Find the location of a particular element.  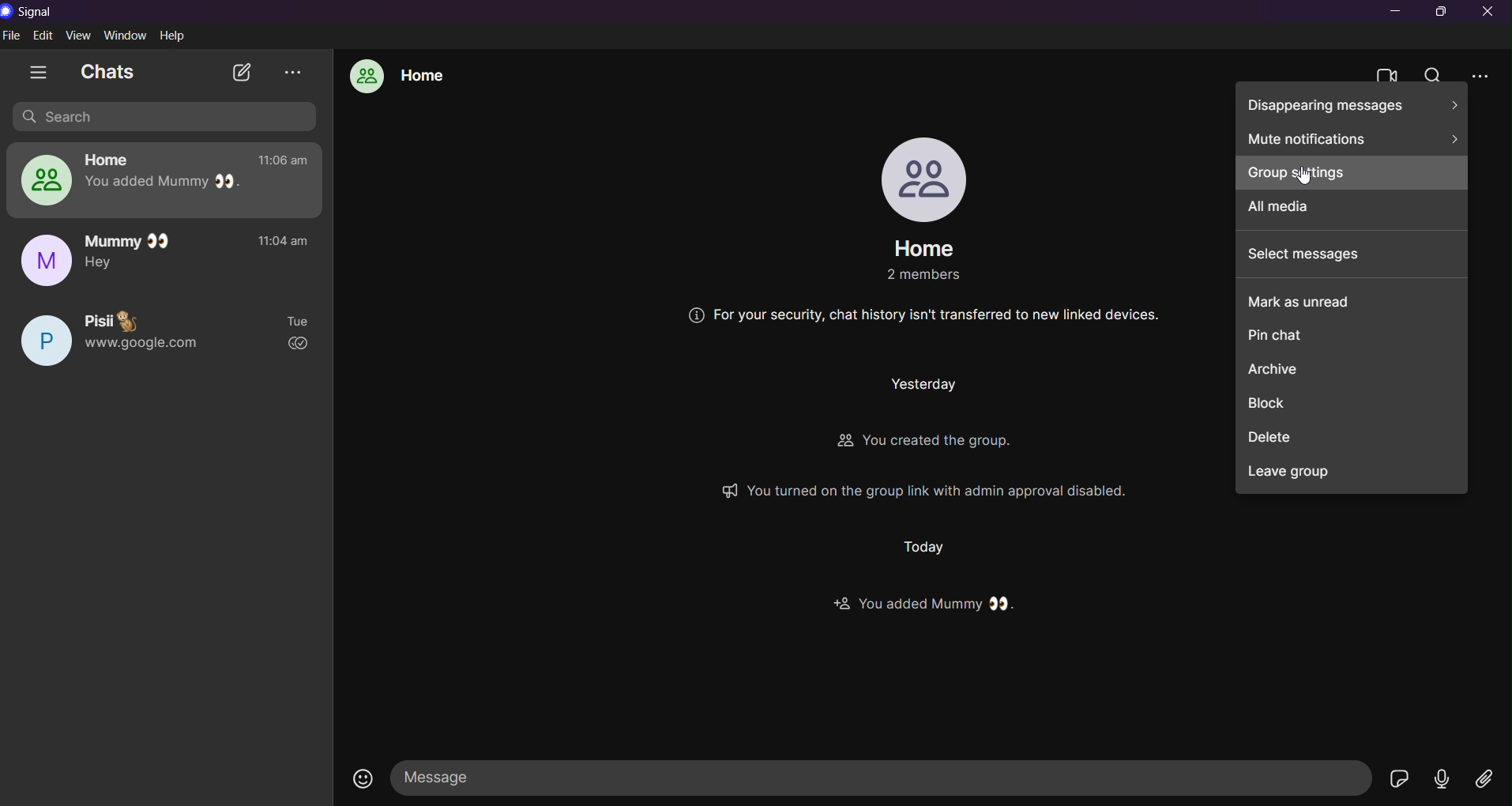

show tabs is located at coordinates (39, 72).